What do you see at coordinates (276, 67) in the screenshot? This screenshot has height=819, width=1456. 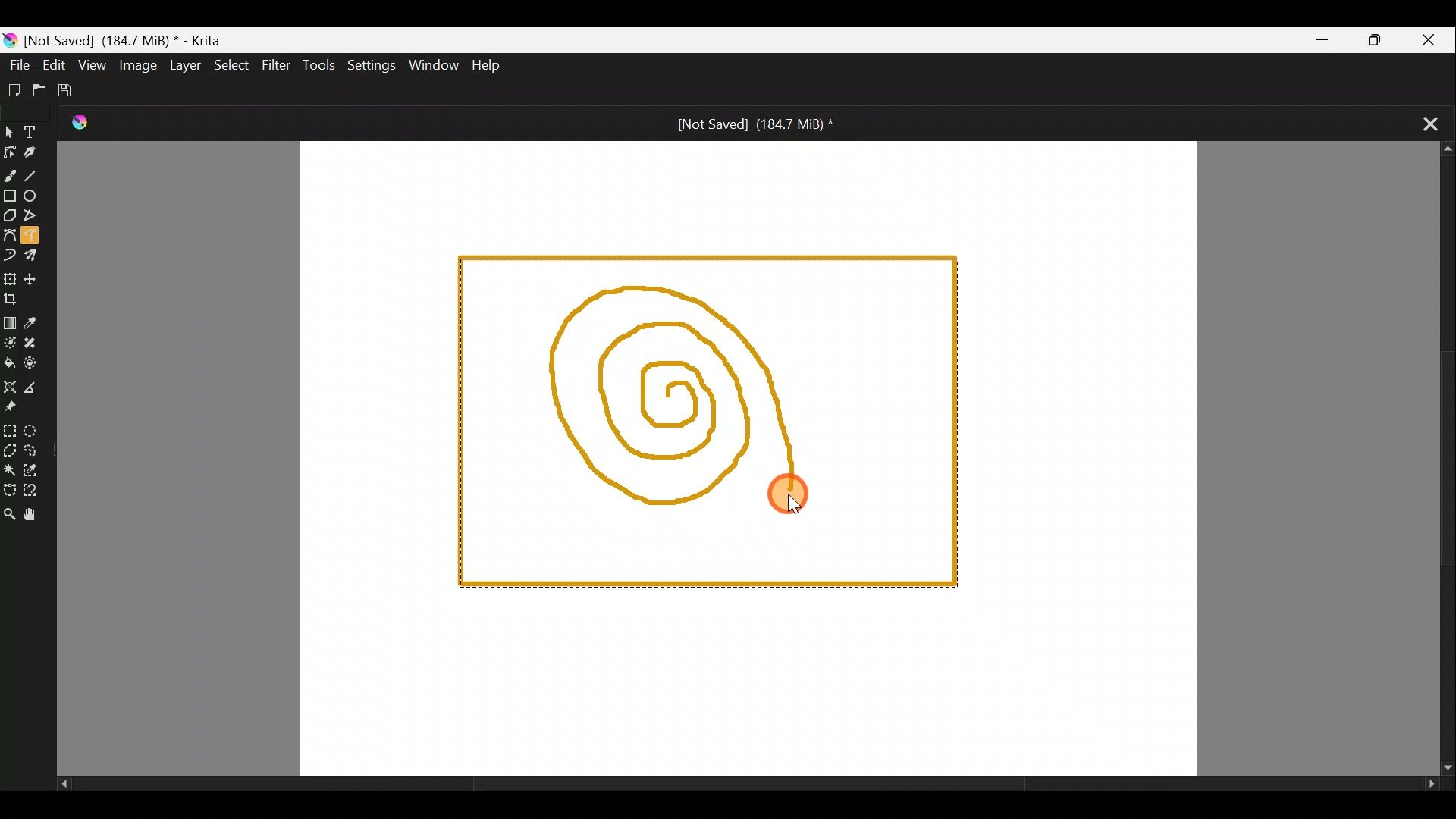 I see `Filter` at bounding box center [276, 67].